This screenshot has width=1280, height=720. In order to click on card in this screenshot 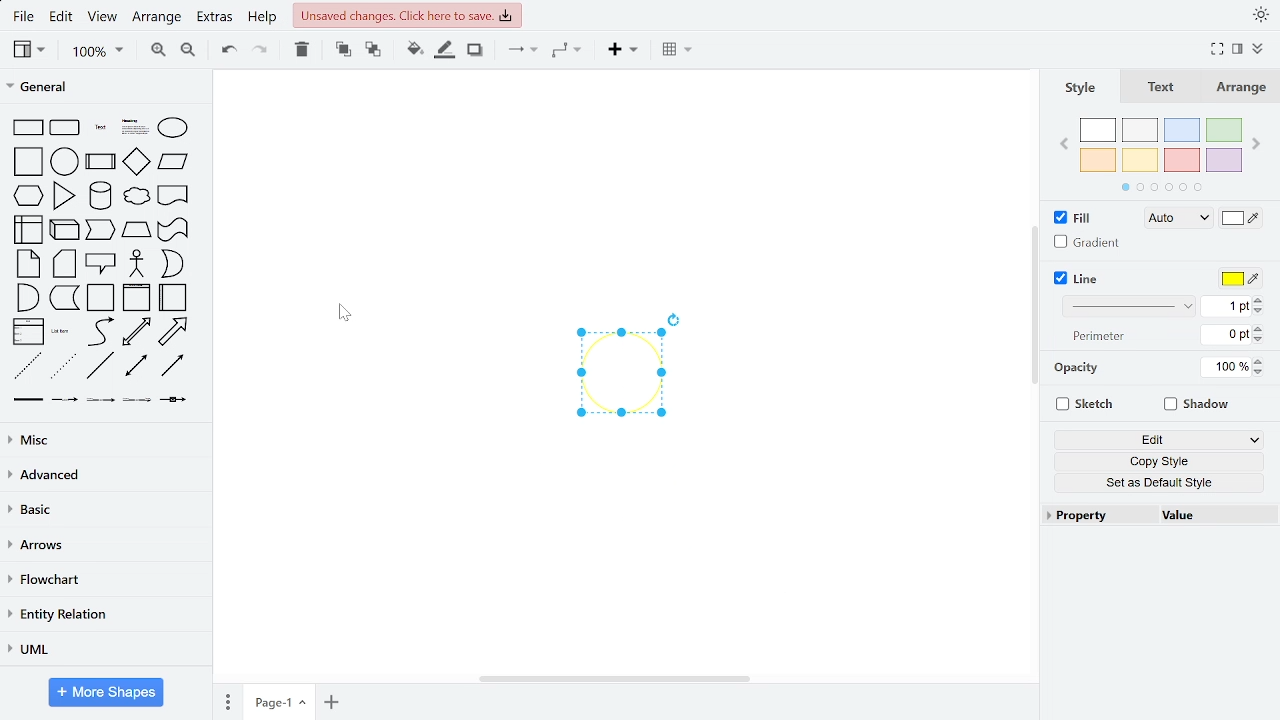, I will do `click(64, 263)`.